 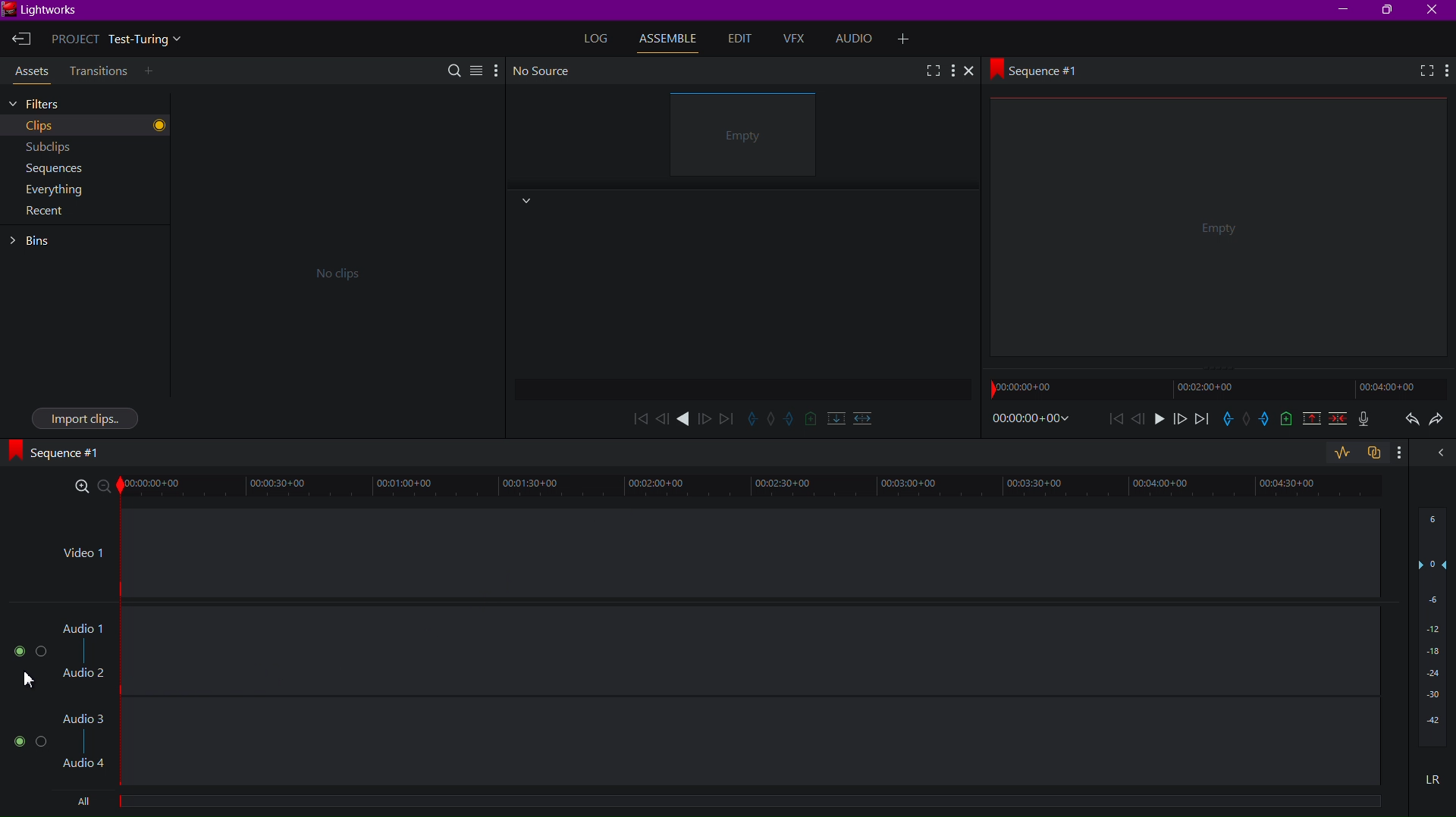 I want to click on play, so click(x=685, y=419).